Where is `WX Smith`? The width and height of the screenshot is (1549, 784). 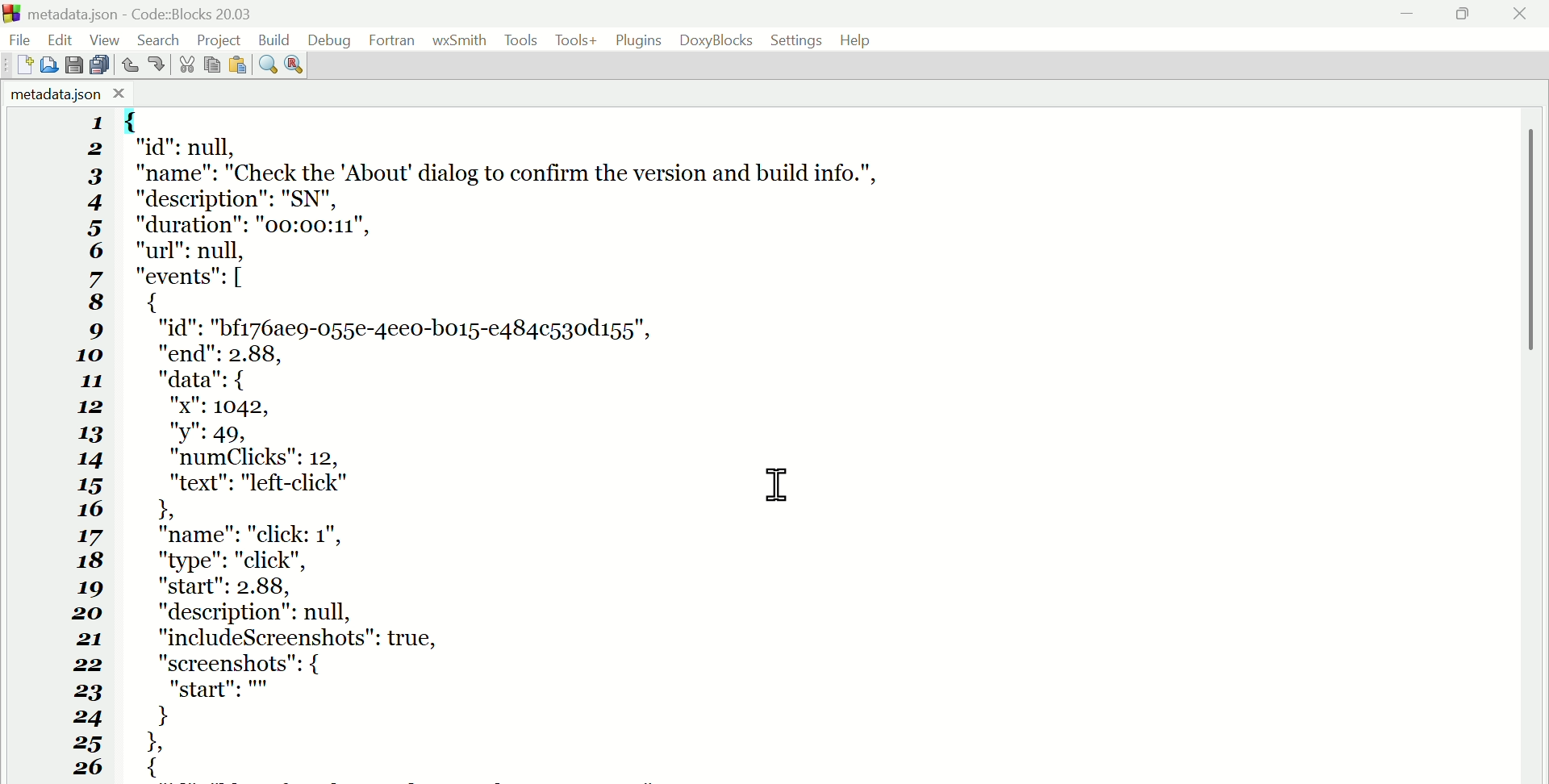 WX Smith is located at coordinates (460, 40).